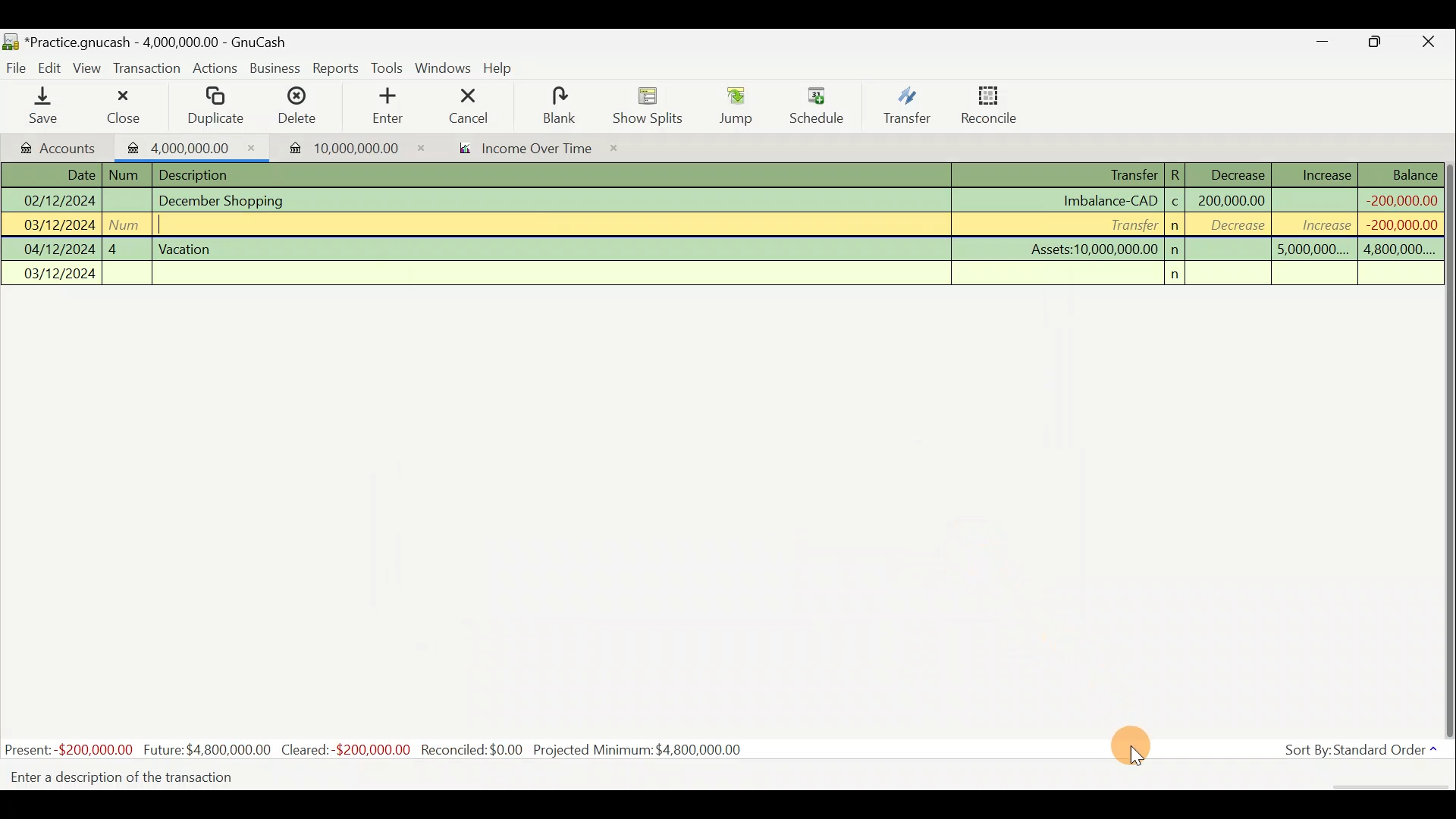 Image resolution: width=1456 pixels, height=819 pixels. What do you see at coordinates (388, 67) in the screenshot?
I see `Tools` at bounding box center [388, 67].